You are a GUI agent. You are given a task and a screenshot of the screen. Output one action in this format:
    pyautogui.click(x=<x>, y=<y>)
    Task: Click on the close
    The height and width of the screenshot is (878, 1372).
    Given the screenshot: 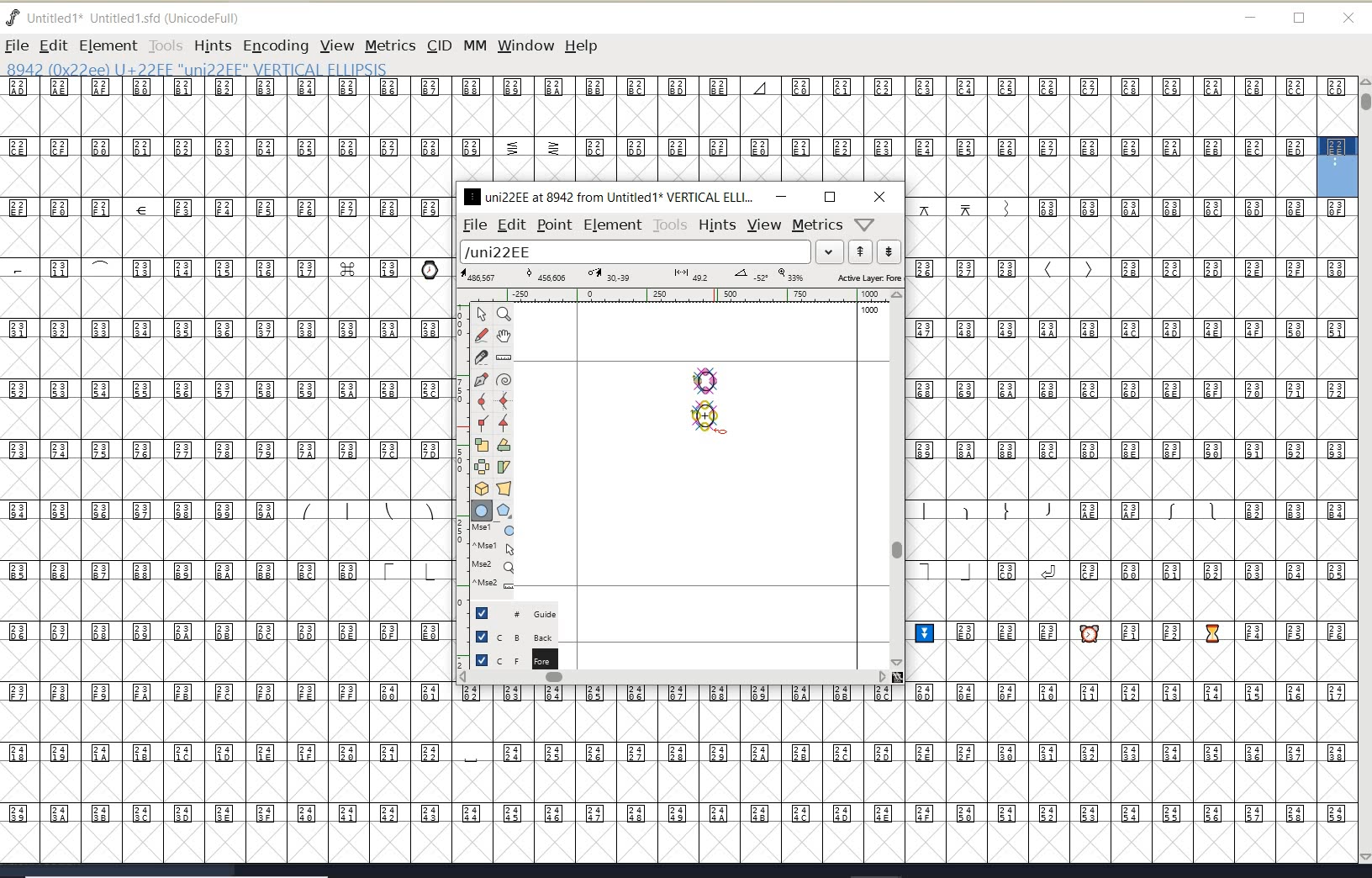 What is the action you would take?
    pyautogui.click(x=1348, y=19)
    